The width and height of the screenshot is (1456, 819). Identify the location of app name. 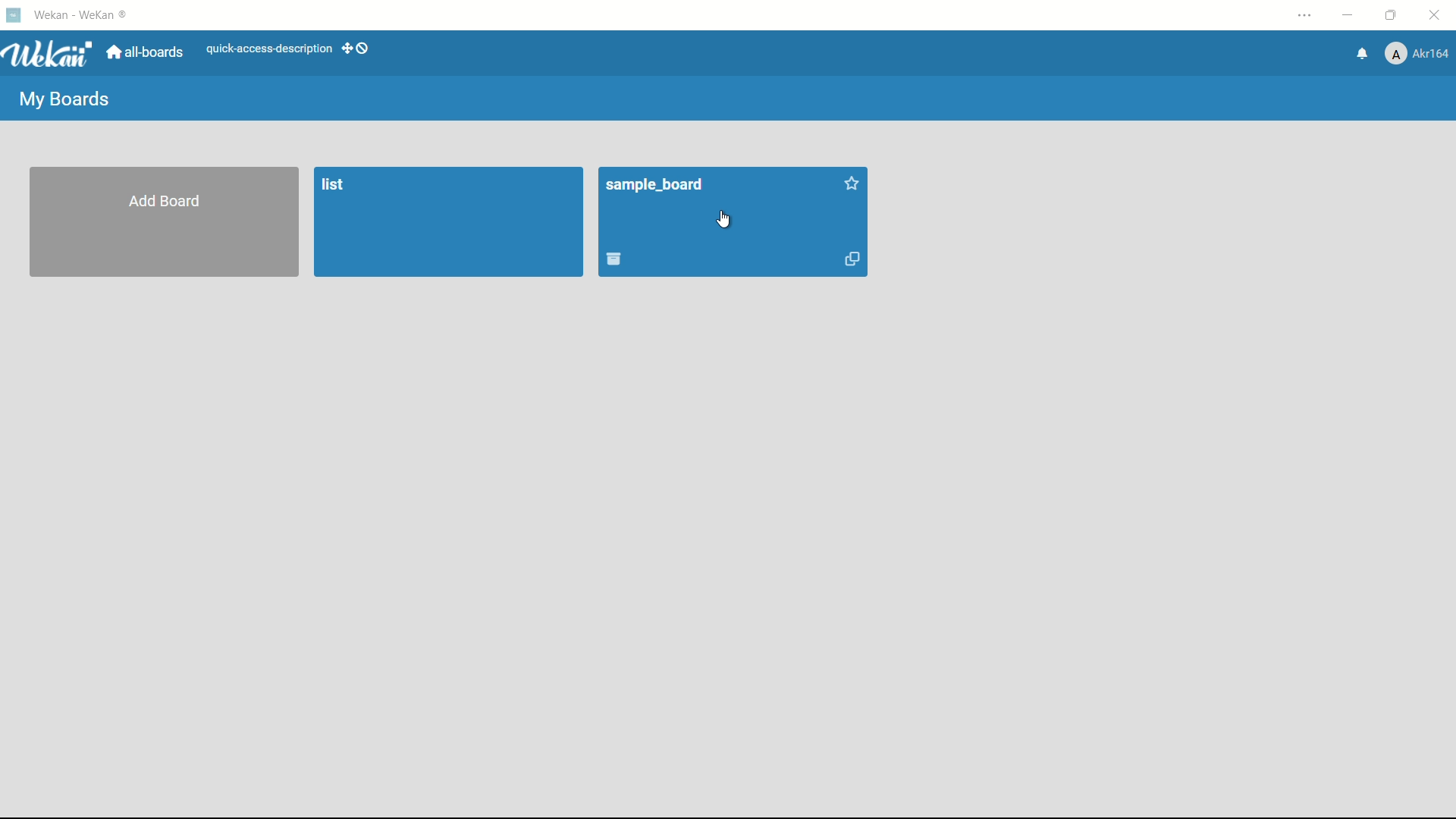
(84, 16).